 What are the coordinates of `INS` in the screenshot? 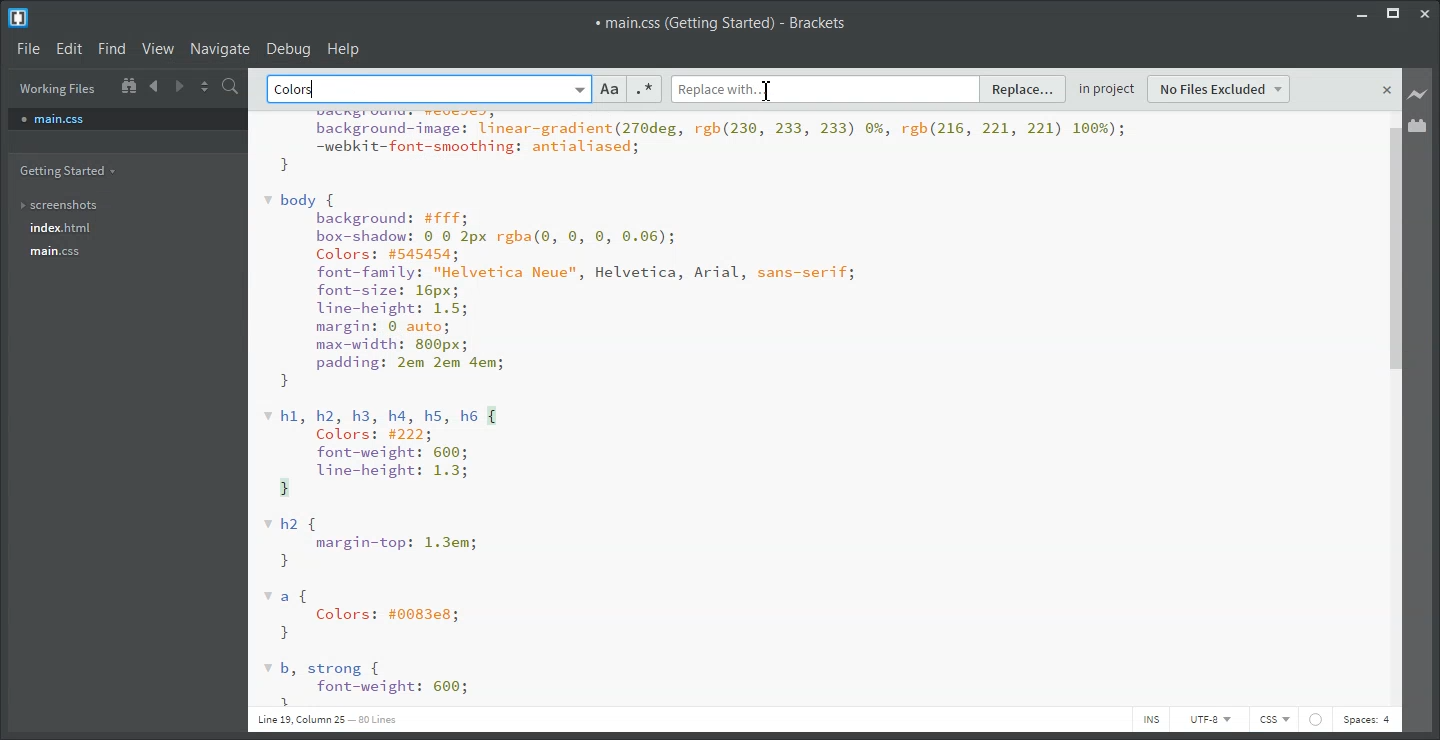 It's located at (1150, 719).